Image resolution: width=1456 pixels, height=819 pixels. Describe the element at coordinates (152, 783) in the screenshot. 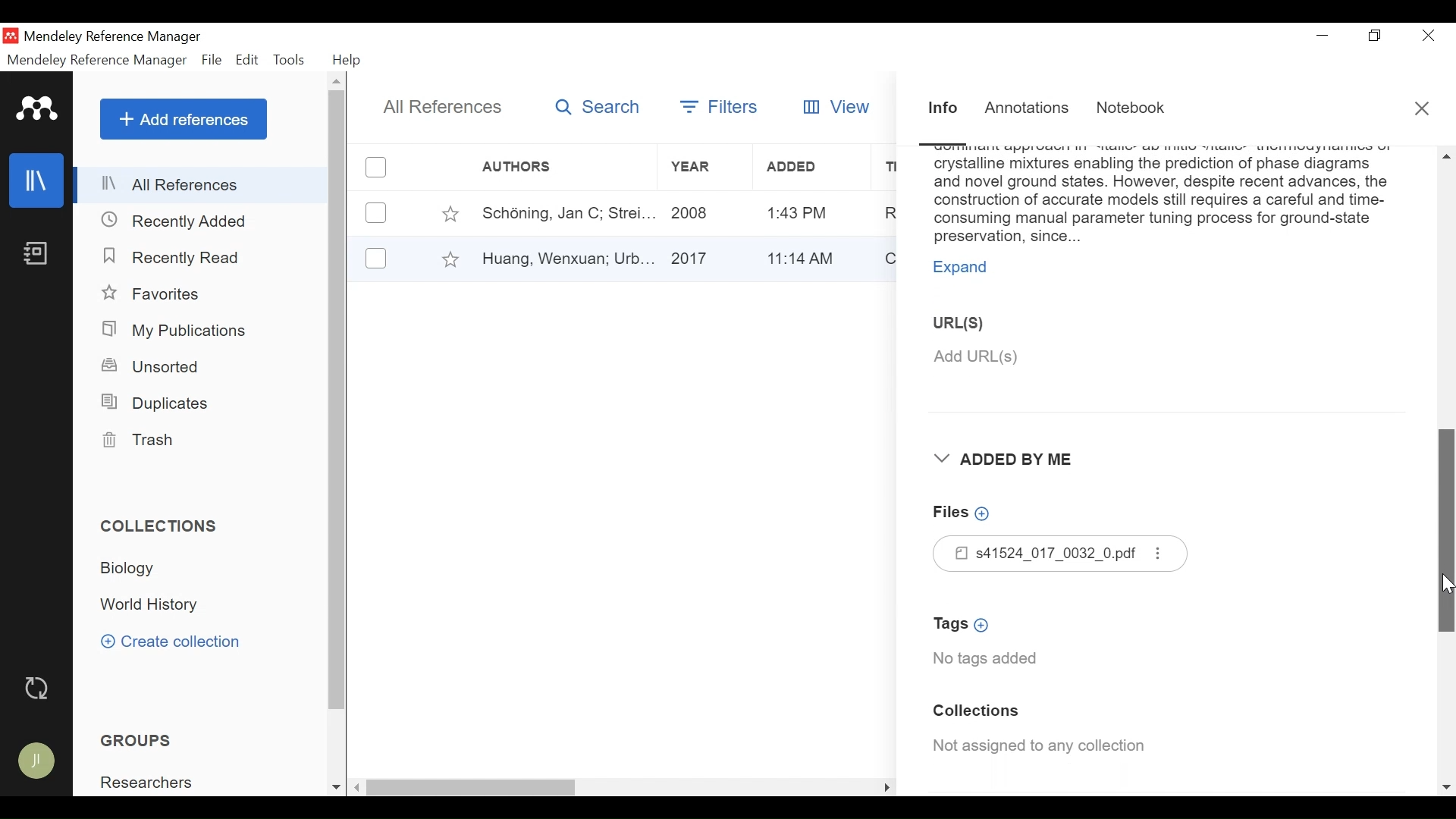

I see `Group` at that location.